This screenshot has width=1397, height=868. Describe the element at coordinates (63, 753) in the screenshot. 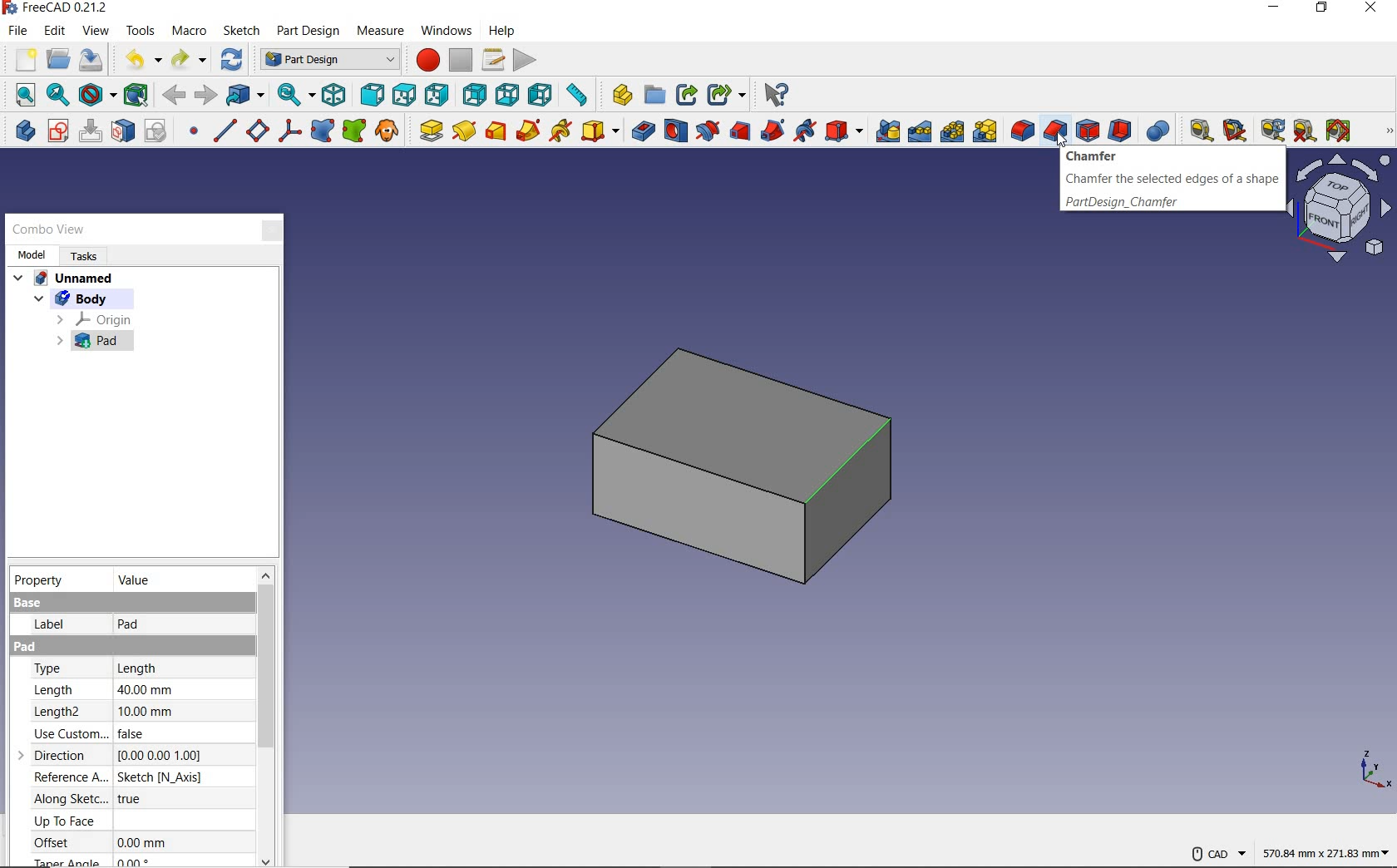

I see `Direction` at that location.